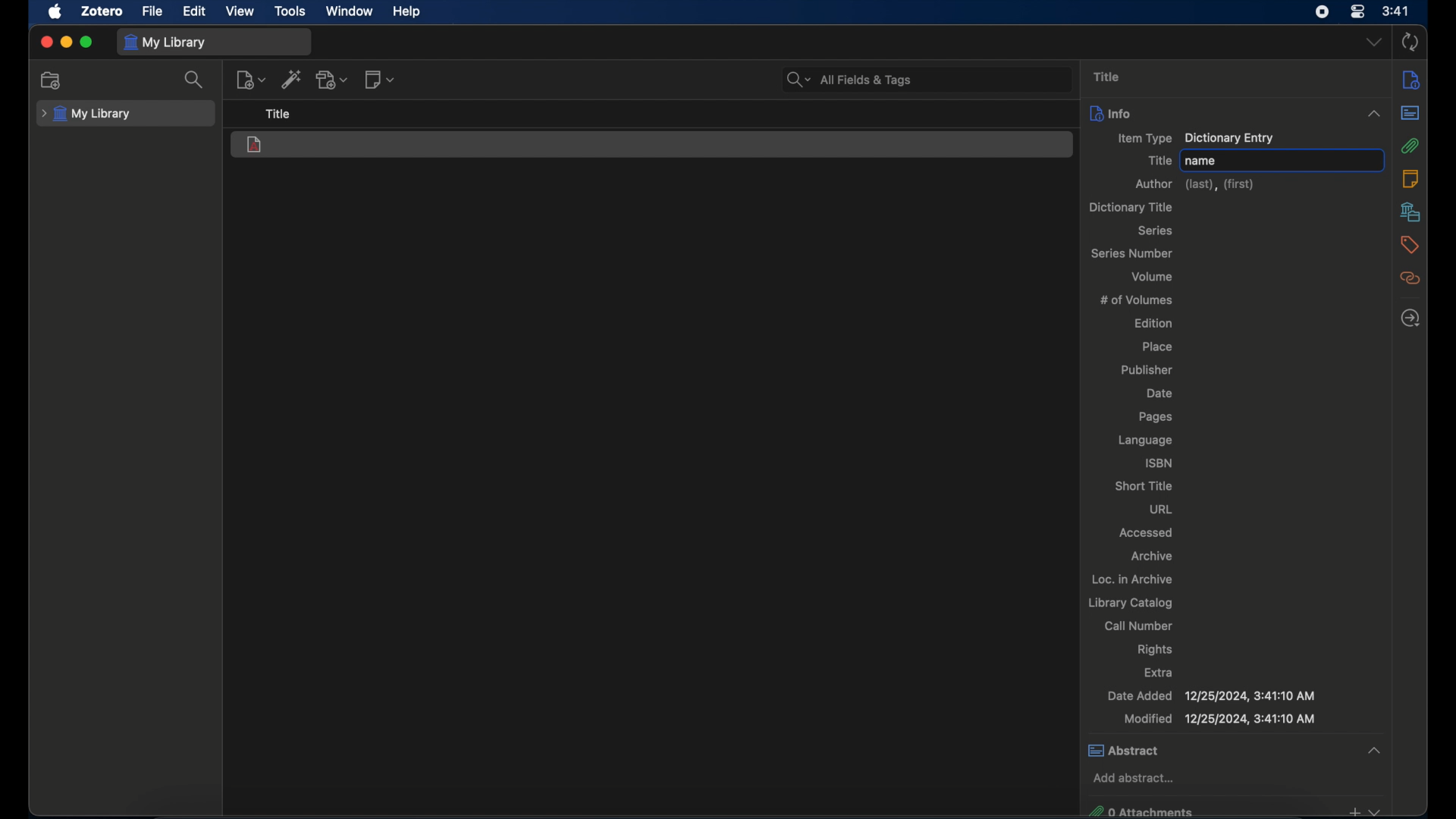  What do you see at coordinates (196, 12) in the screenshot?
I see `edit` at bounding box center [196, 12].